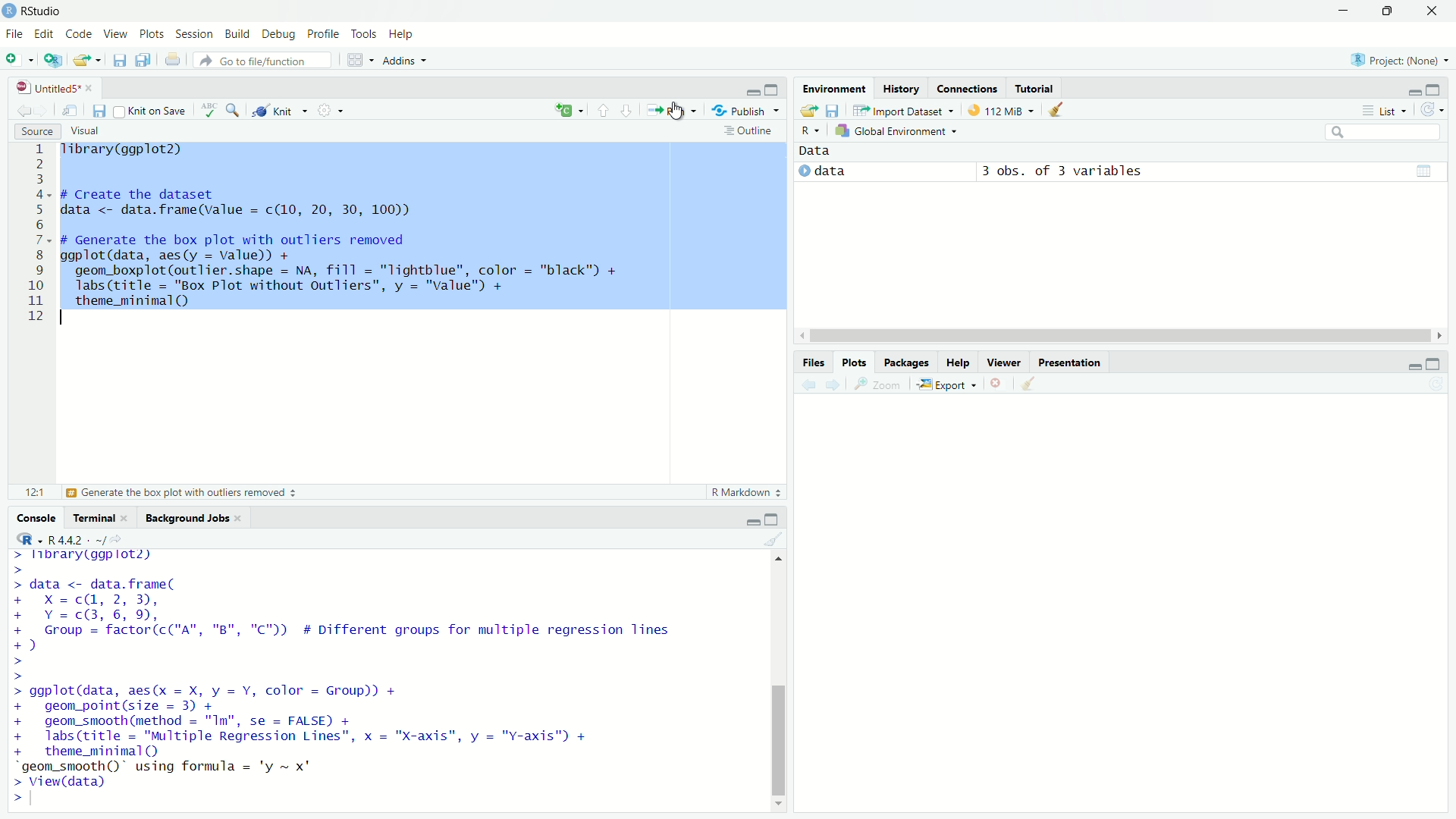  I want to click on maximise, so click(1432, 91).